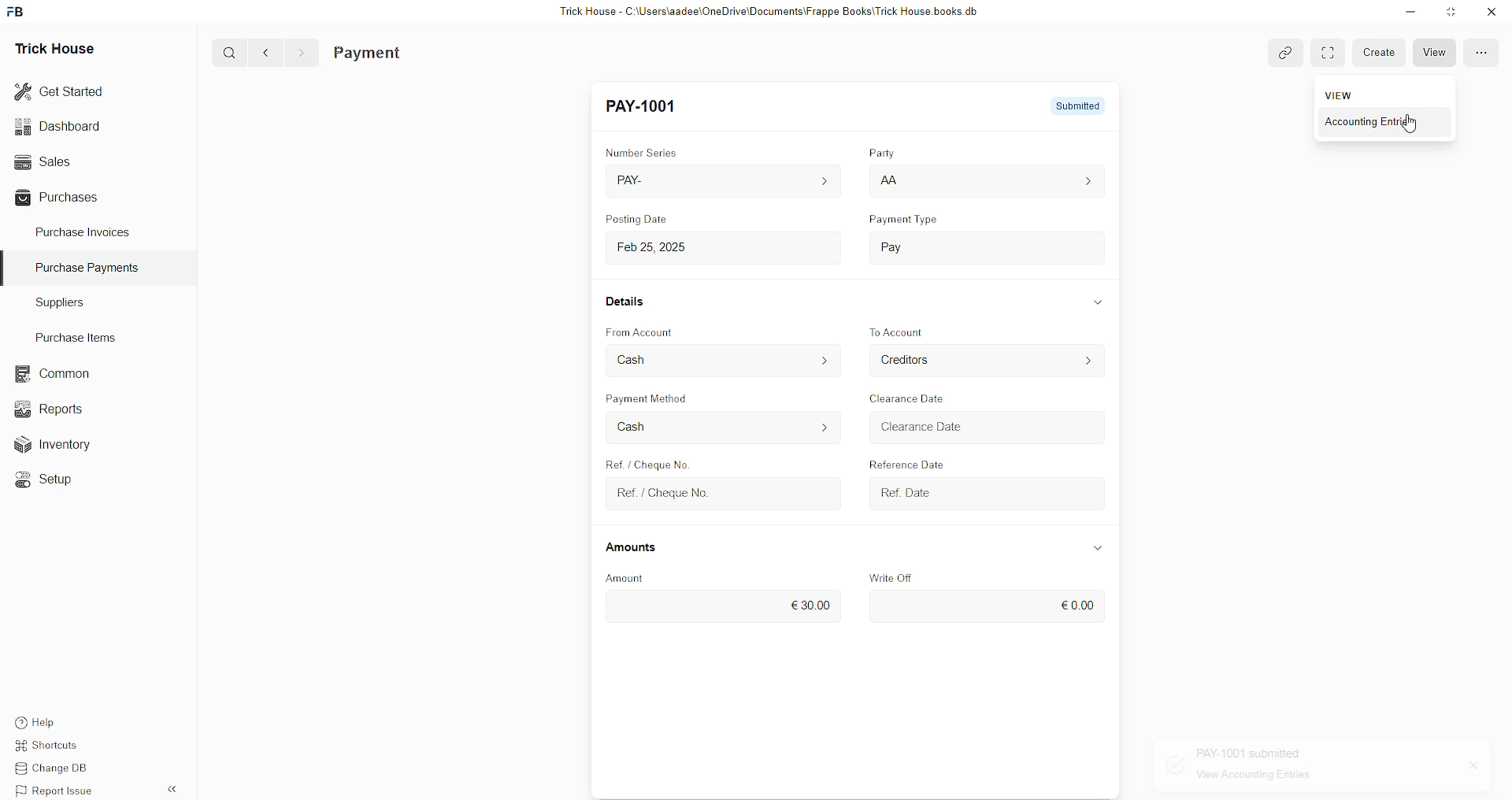 The image size is (1512, 800). What do you see at coordinates (224, 51) in the screenshot?
I see `Q` at bounding box center [224, 51].